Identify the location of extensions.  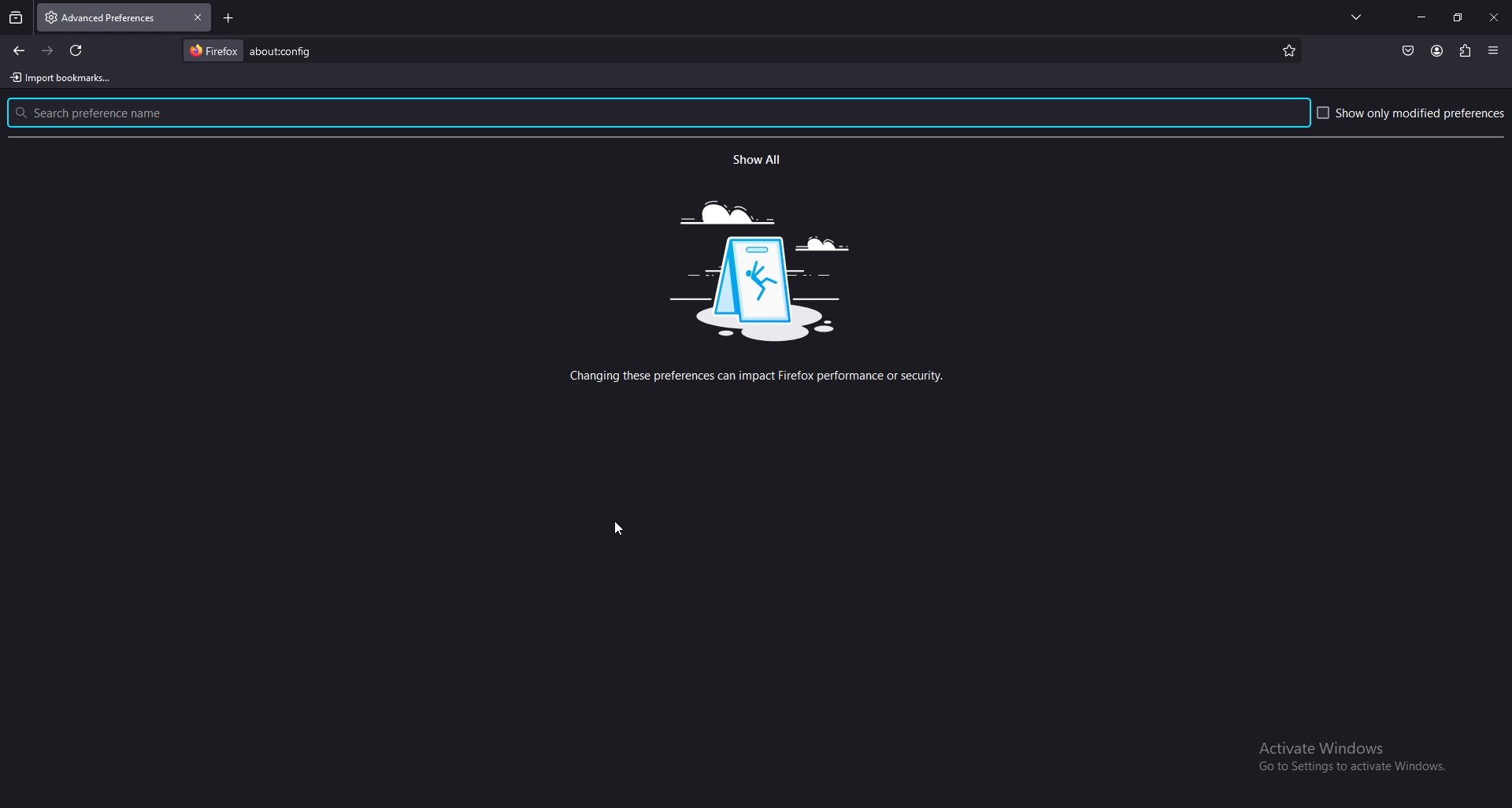
(1466, 49).